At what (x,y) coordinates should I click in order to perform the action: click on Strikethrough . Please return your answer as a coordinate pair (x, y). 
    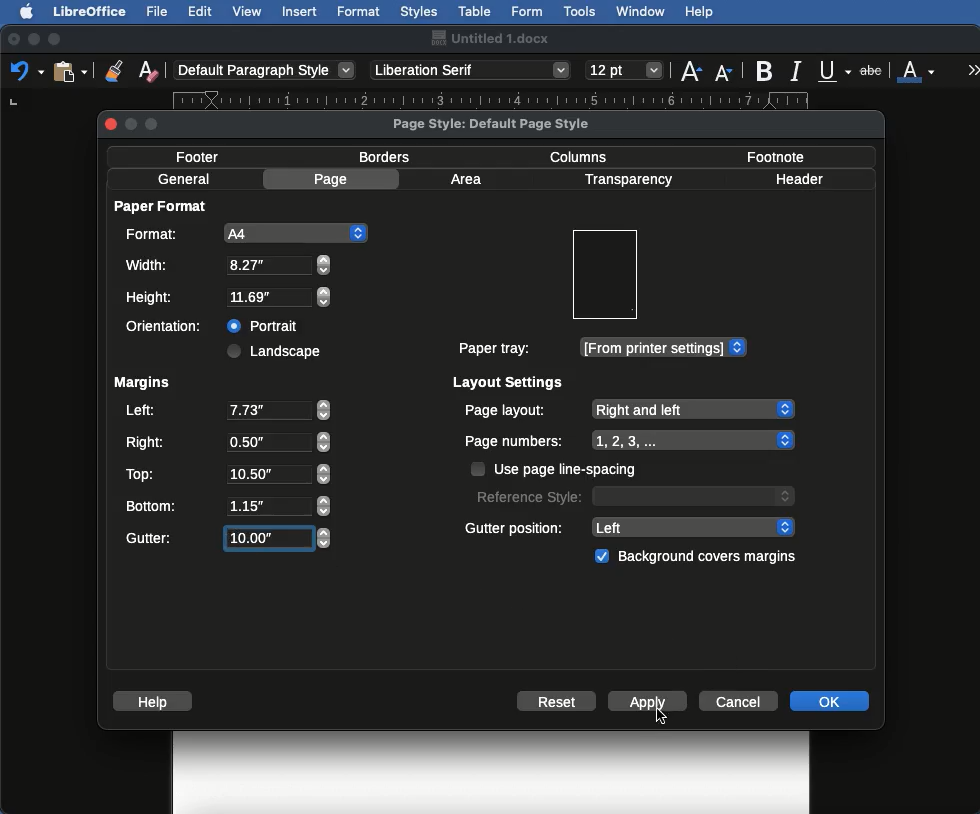
    Looking at the image, I should click on (873, 69).